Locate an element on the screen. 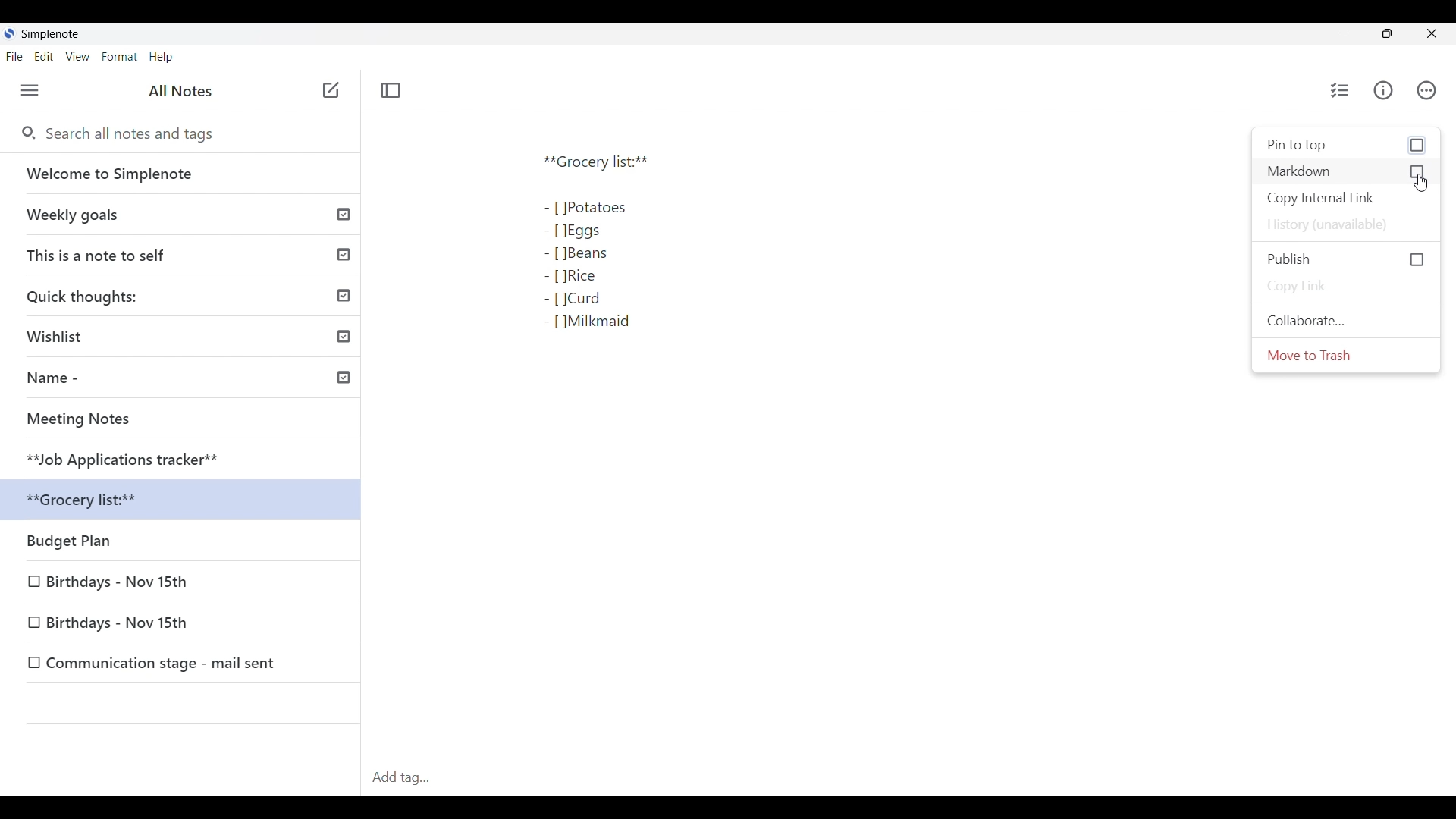  Menu is located at coordinates (30, 90).